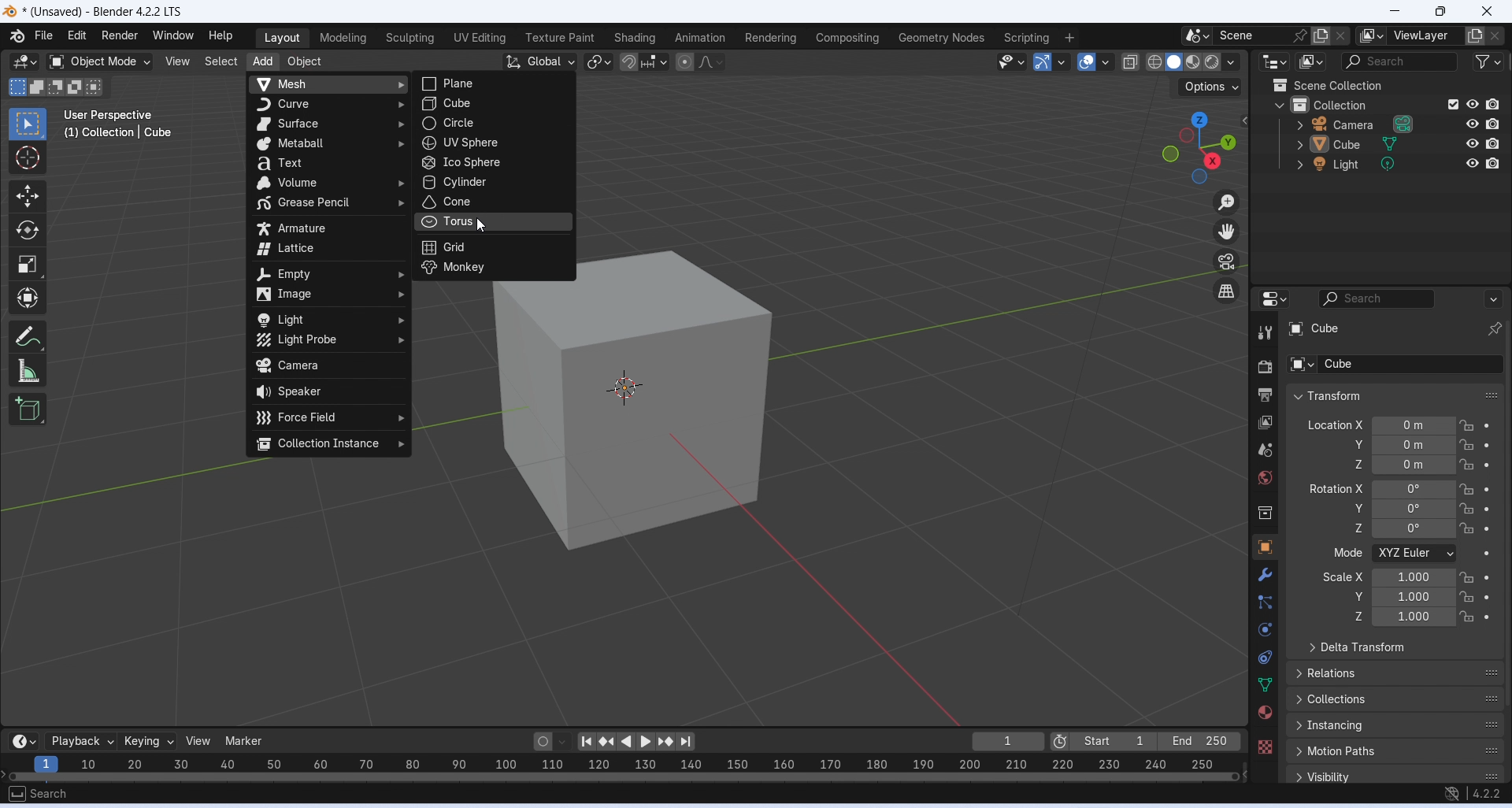  Describe the element at coordinates (1433, 529) in the screenshot. I see `Rotation Z` at that location.